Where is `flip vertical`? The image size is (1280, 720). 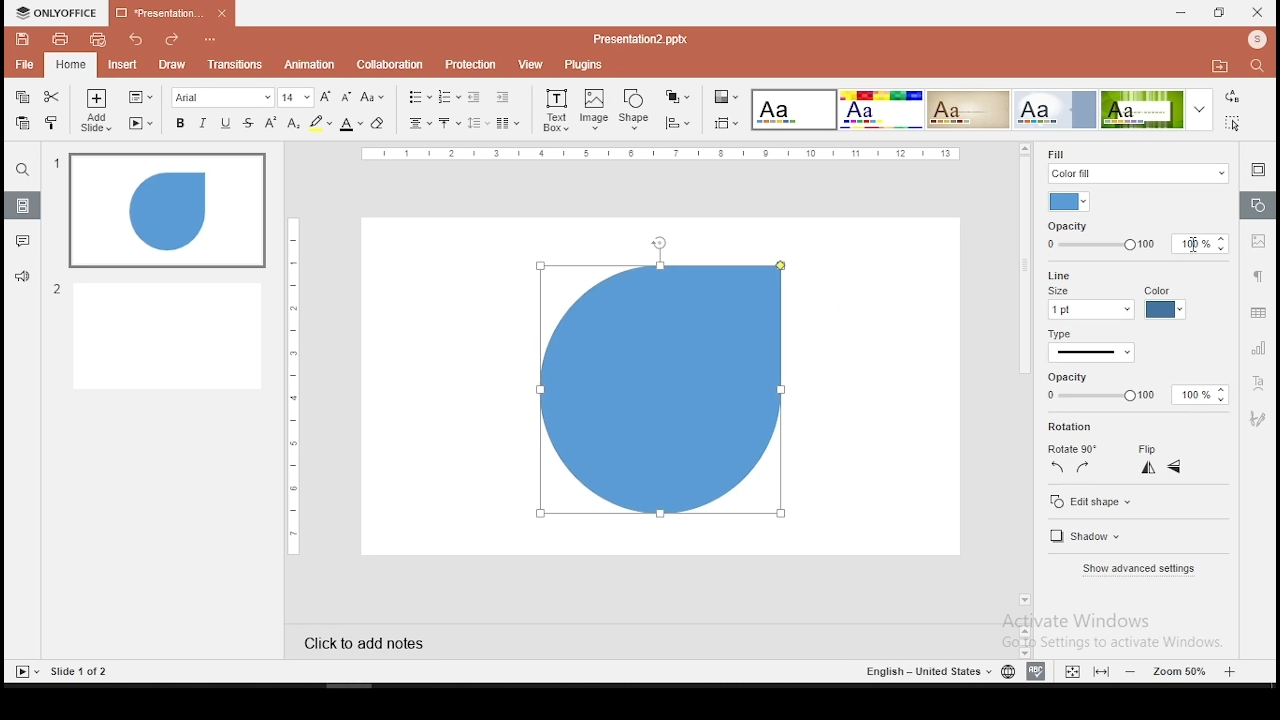
flip vertical is located at coordinates (1150, 470).